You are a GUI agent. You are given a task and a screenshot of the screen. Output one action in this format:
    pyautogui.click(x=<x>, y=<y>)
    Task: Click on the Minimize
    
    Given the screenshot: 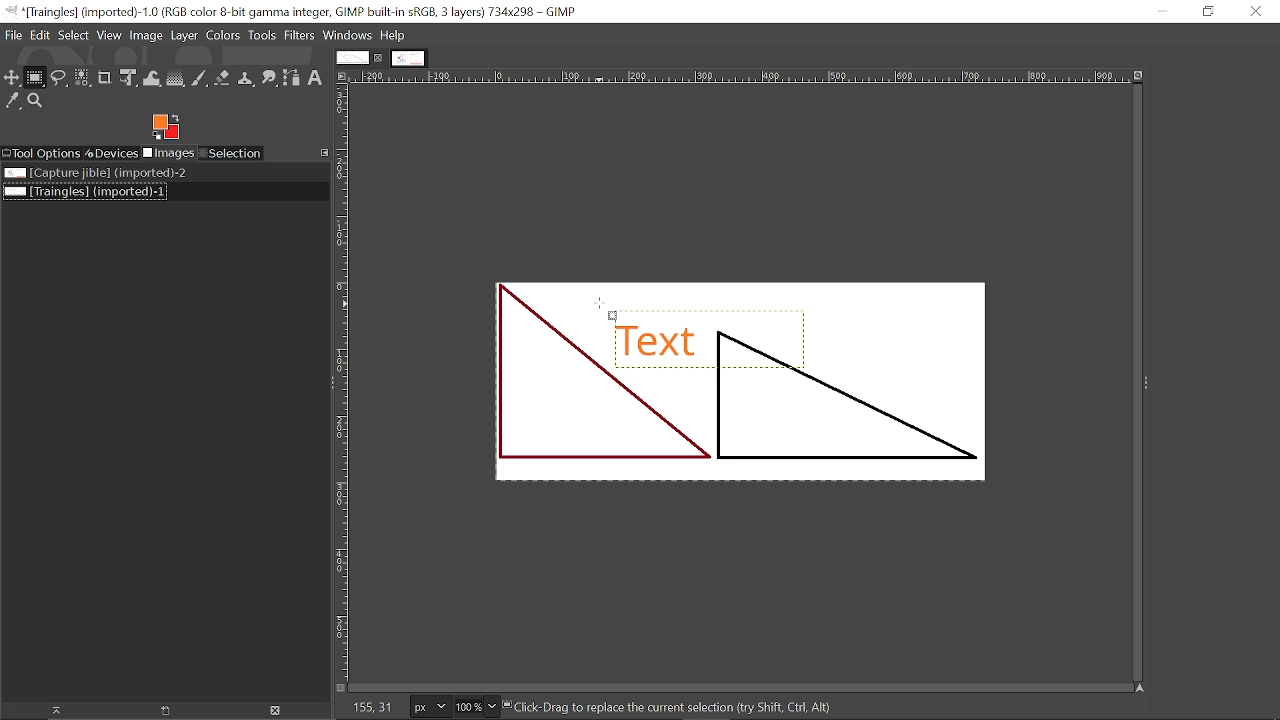 What is the action you would take?
    pyautogui.click(x=1157, y=11)
    